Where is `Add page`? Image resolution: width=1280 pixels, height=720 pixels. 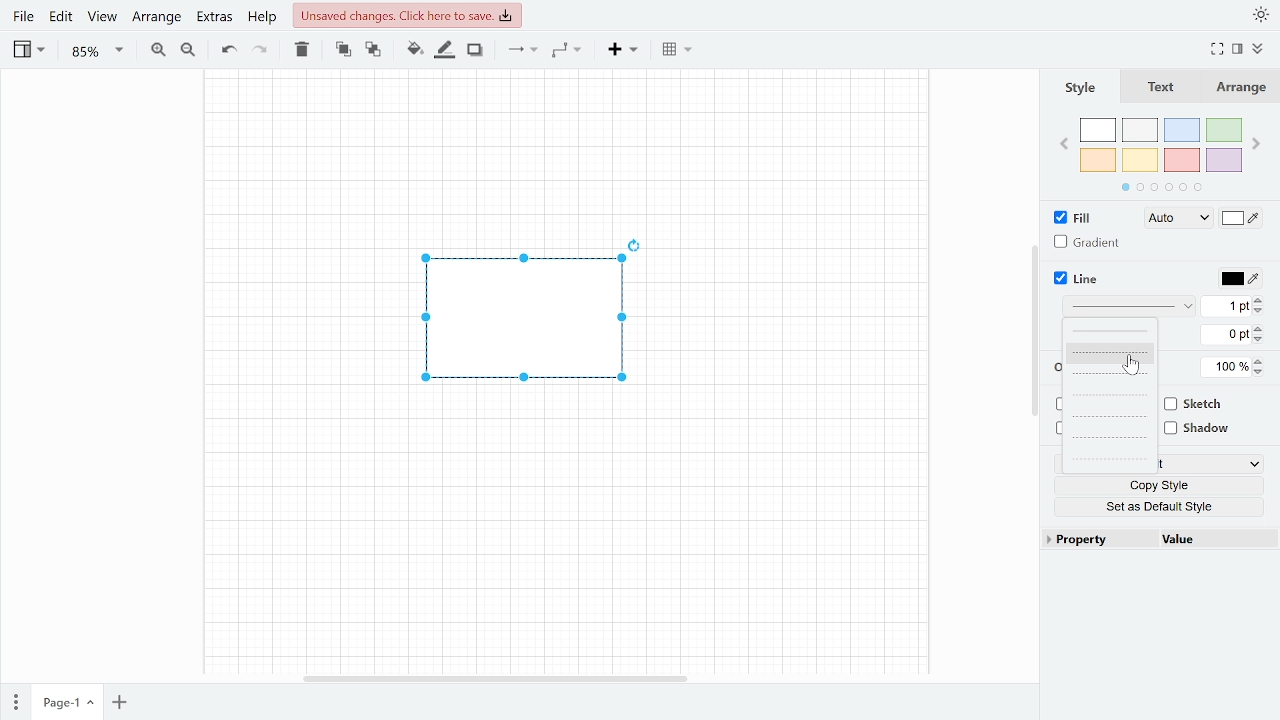
Add page is located at coordinates (118, 704).